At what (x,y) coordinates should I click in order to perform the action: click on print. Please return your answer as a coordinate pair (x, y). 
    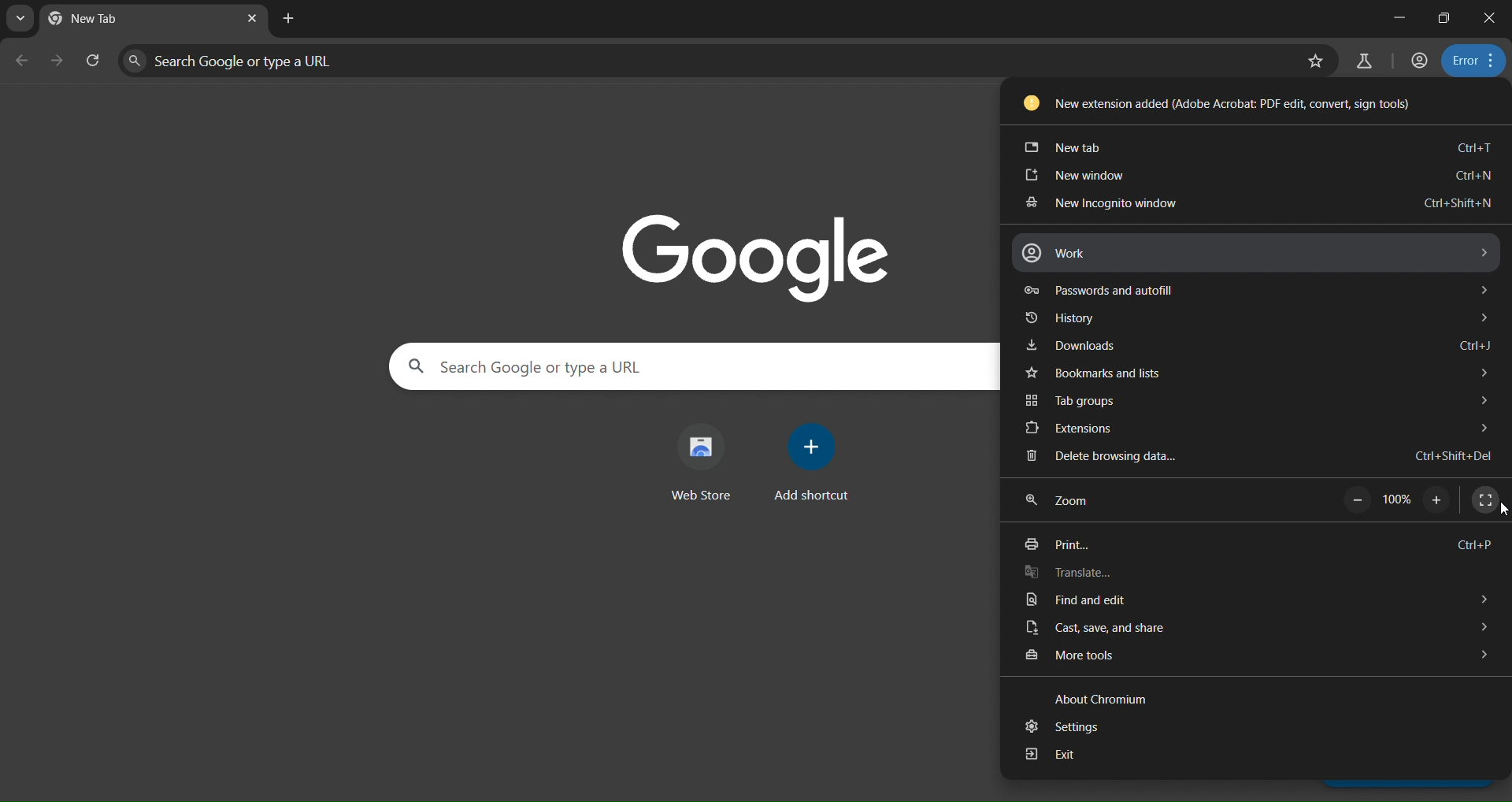
    Looking at the image, I should click on (1260, 543).